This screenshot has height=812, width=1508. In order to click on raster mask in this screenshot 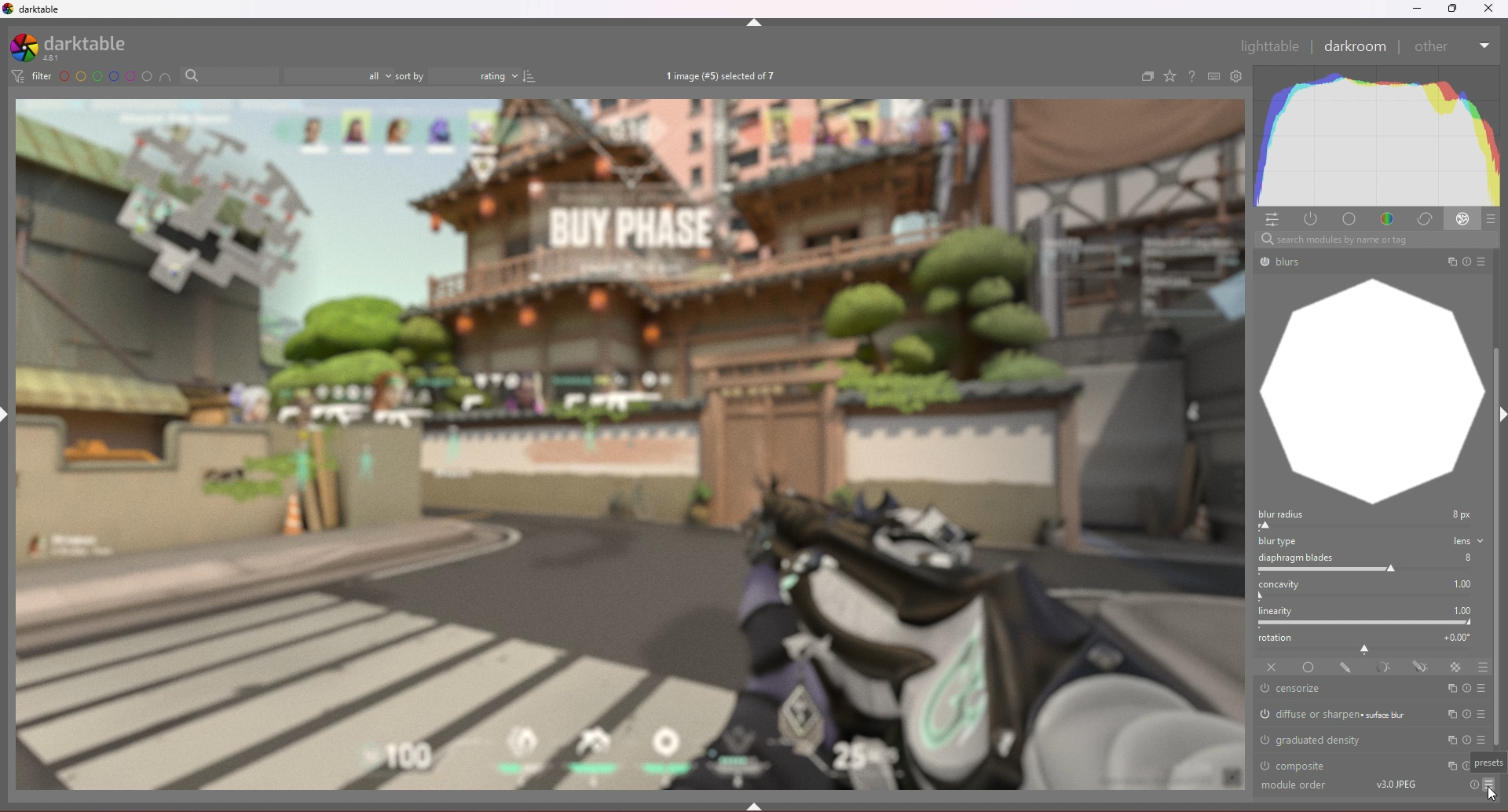, I will do `click(1455, 667)`.